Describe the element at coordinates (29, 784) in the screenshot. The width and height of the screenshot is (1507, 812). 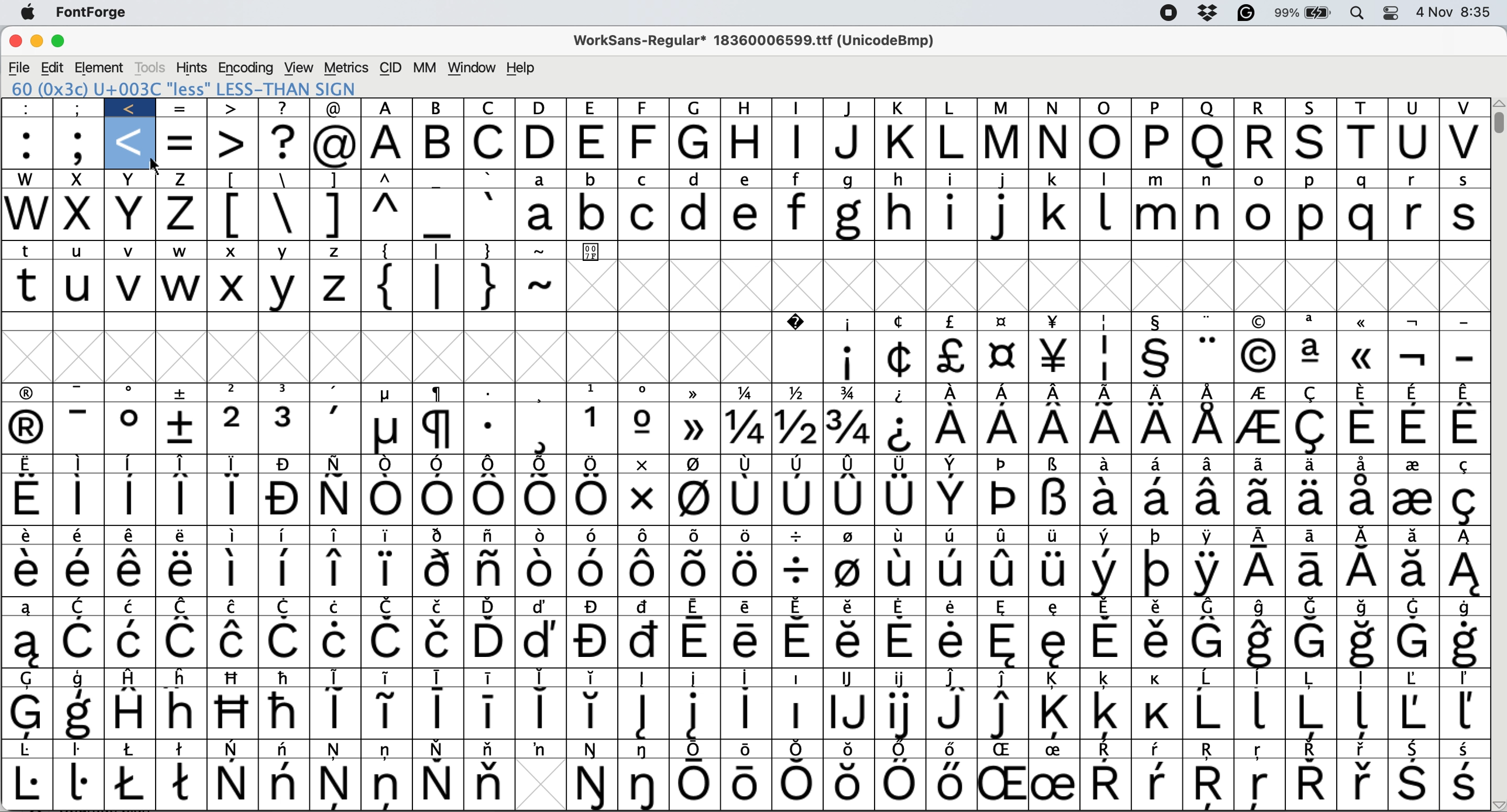
I see `Symbol` at that location.